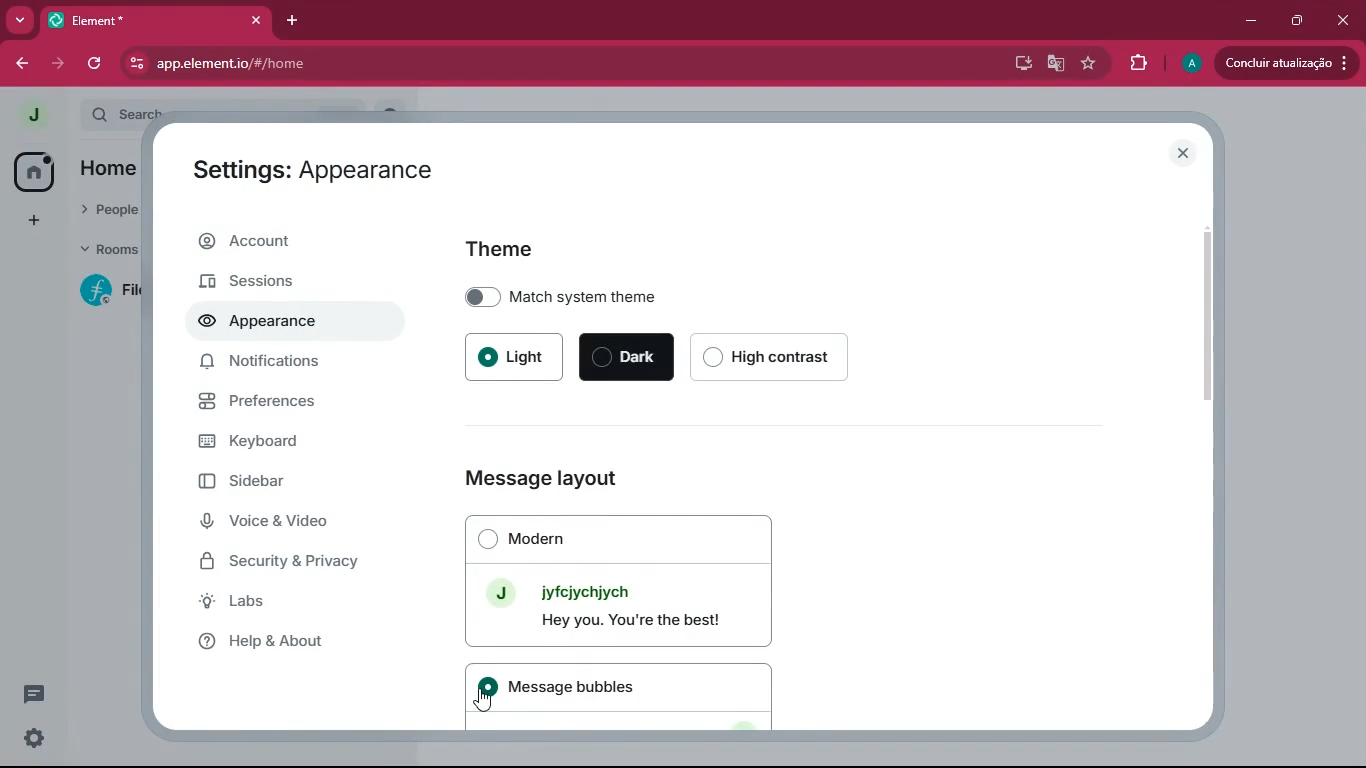  I want to click on refresh, so click(96, 63).